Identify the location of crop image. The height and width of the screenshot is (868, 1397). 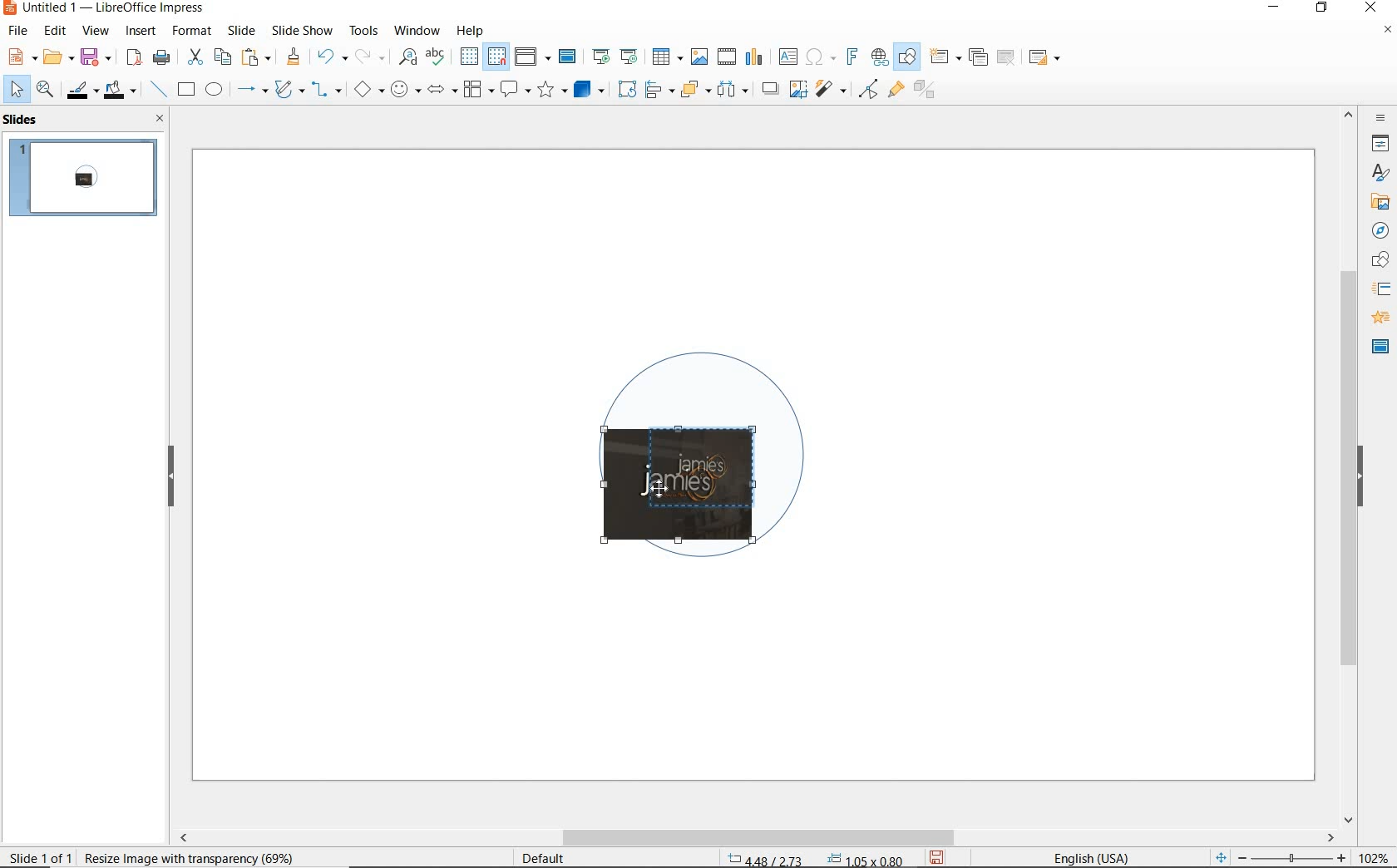
(797, 87).